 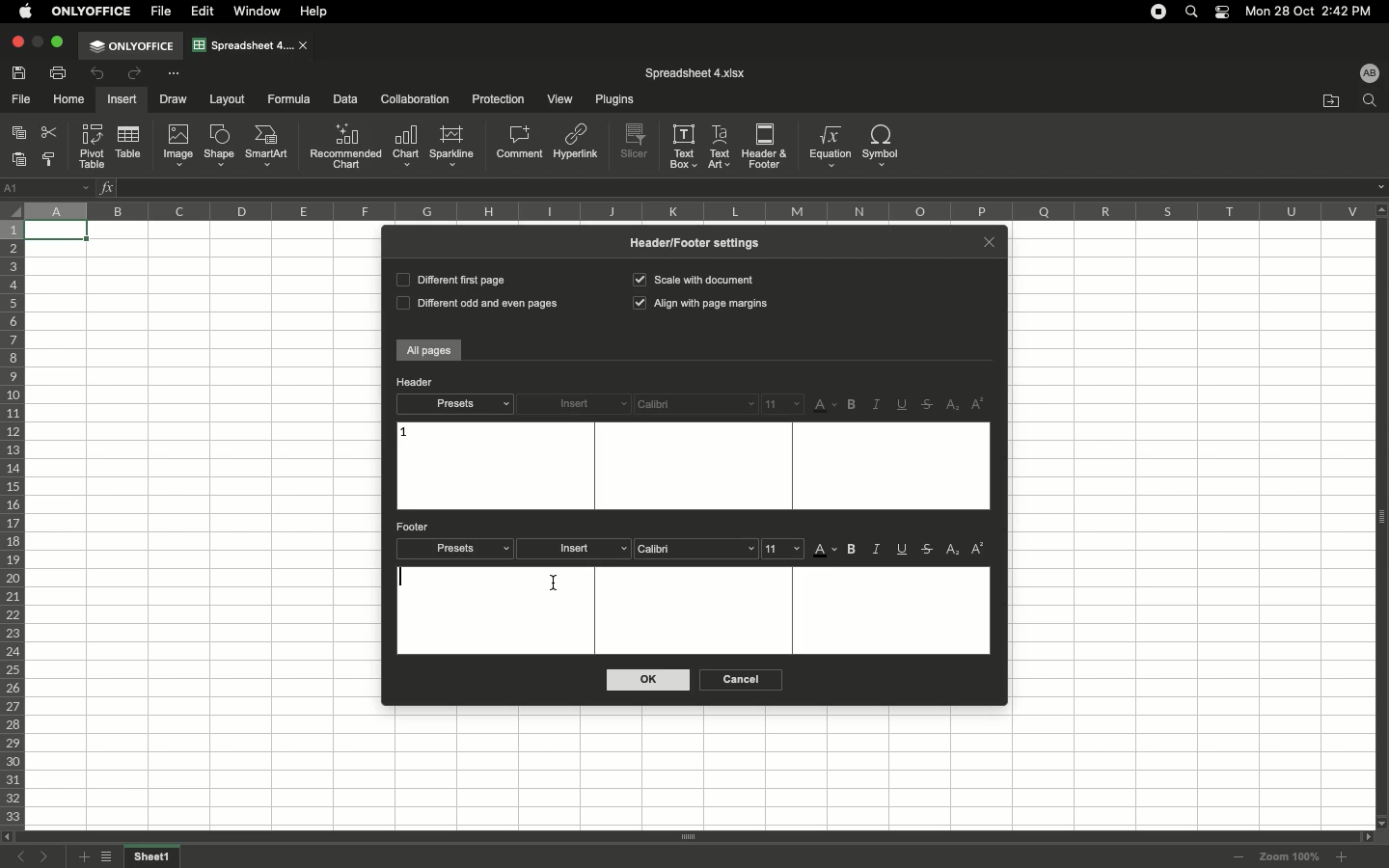 I want to click on Data, so click(x=345, y=98).